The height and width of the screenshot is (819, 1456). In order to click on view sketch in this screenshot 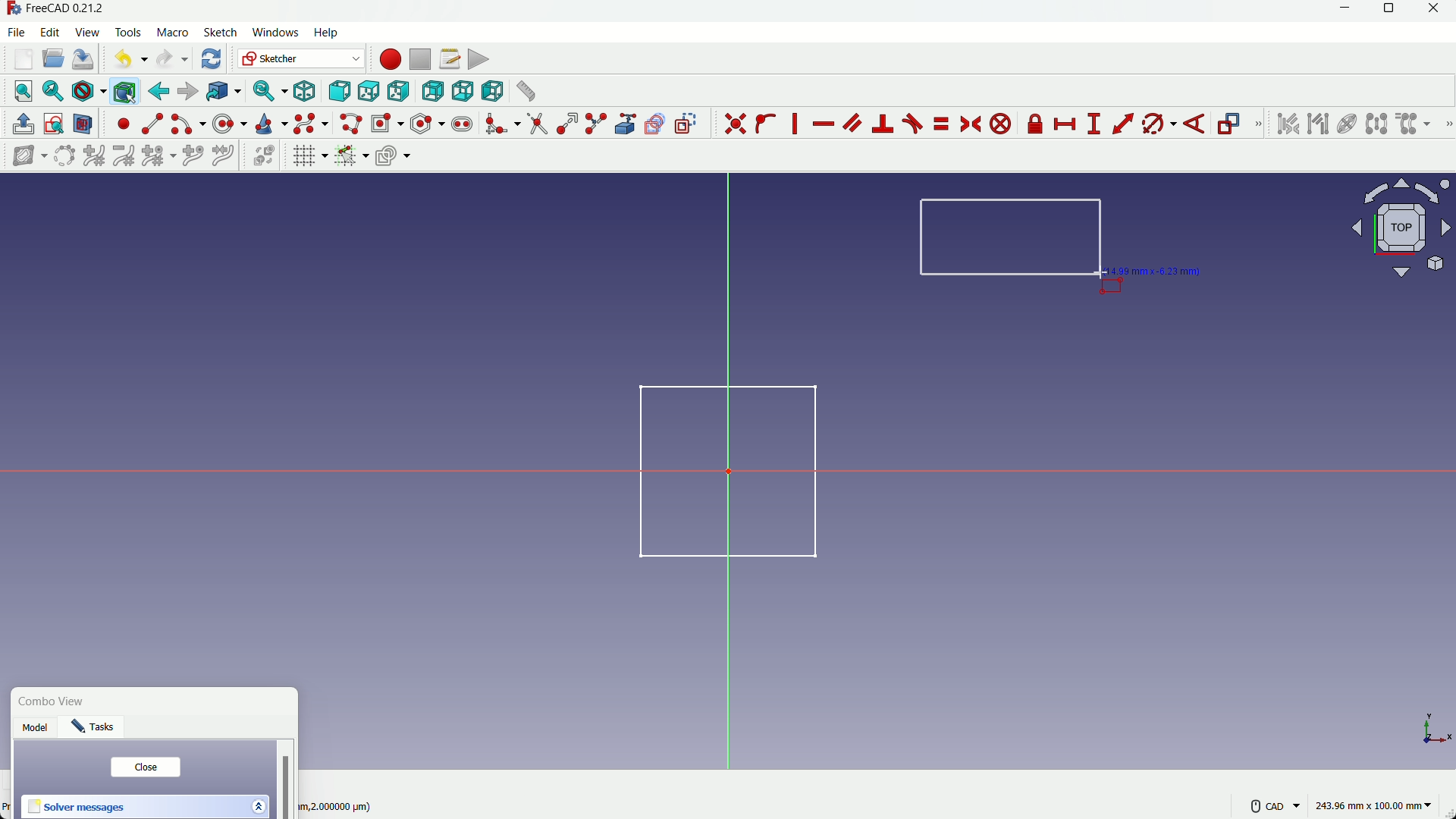, I will do `click(55, 125)`.